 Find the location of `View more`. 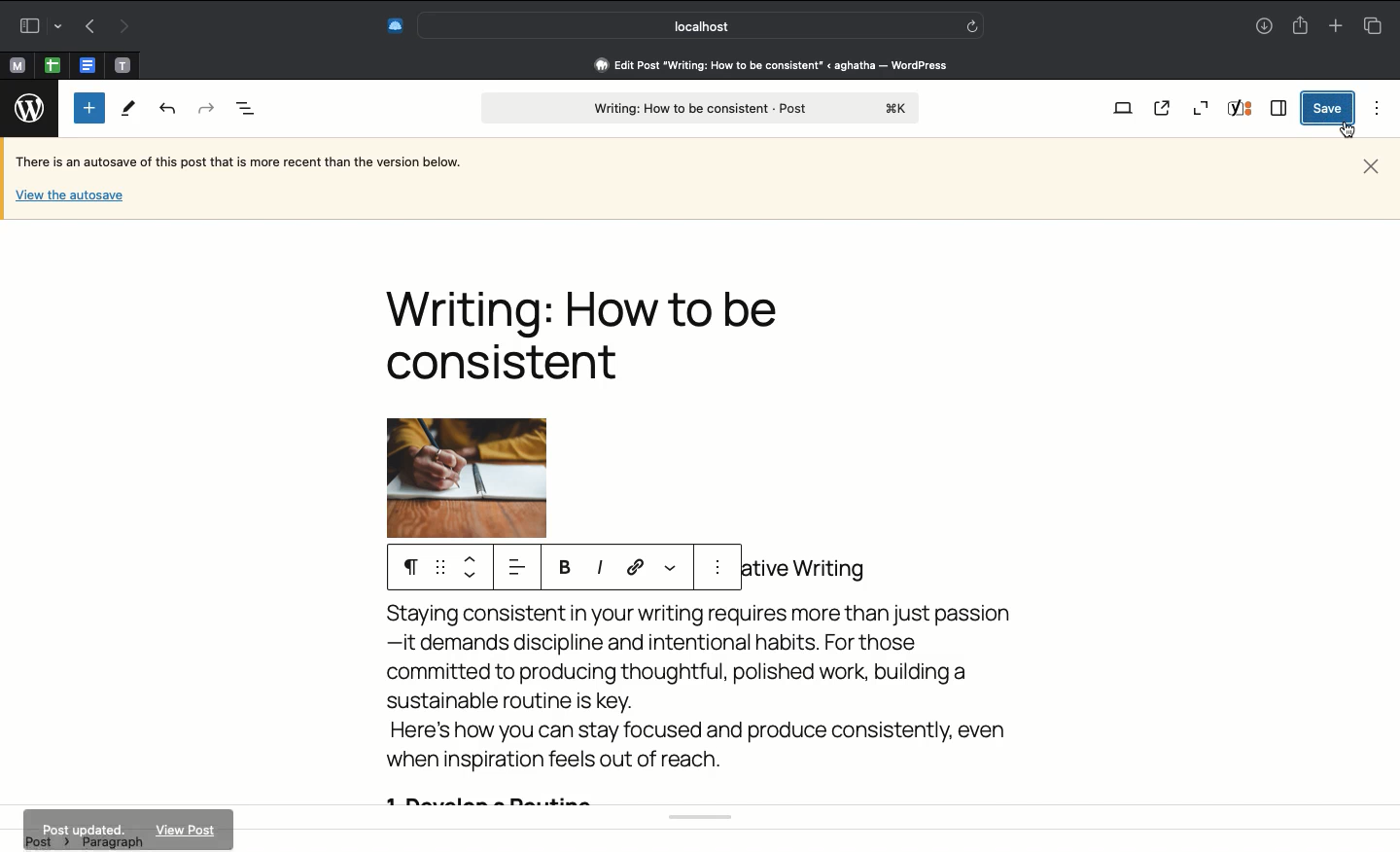

View more is located at coordinates (671, 564).